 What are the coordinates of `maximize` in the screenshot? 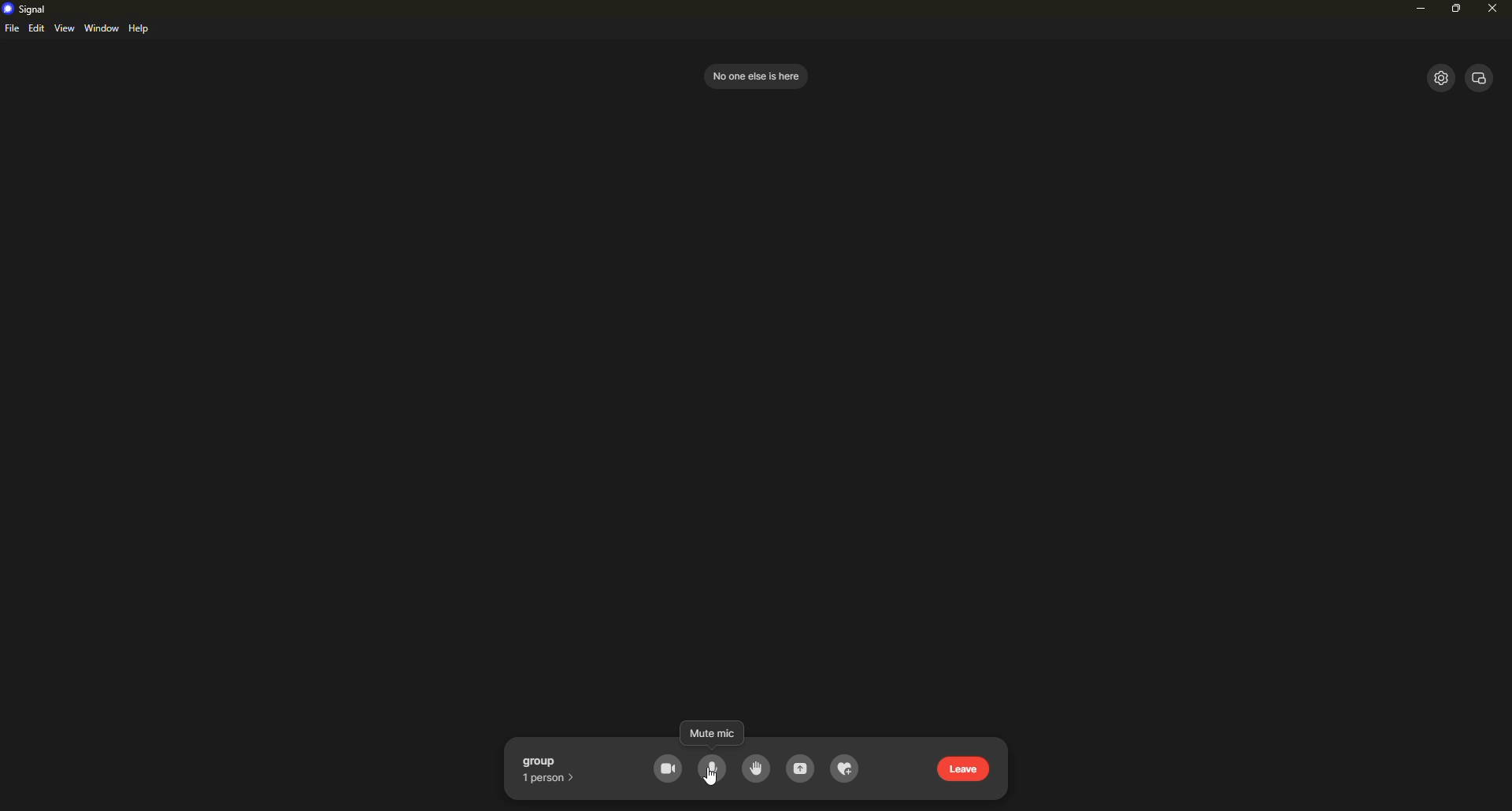 It's located at (1458, 9).